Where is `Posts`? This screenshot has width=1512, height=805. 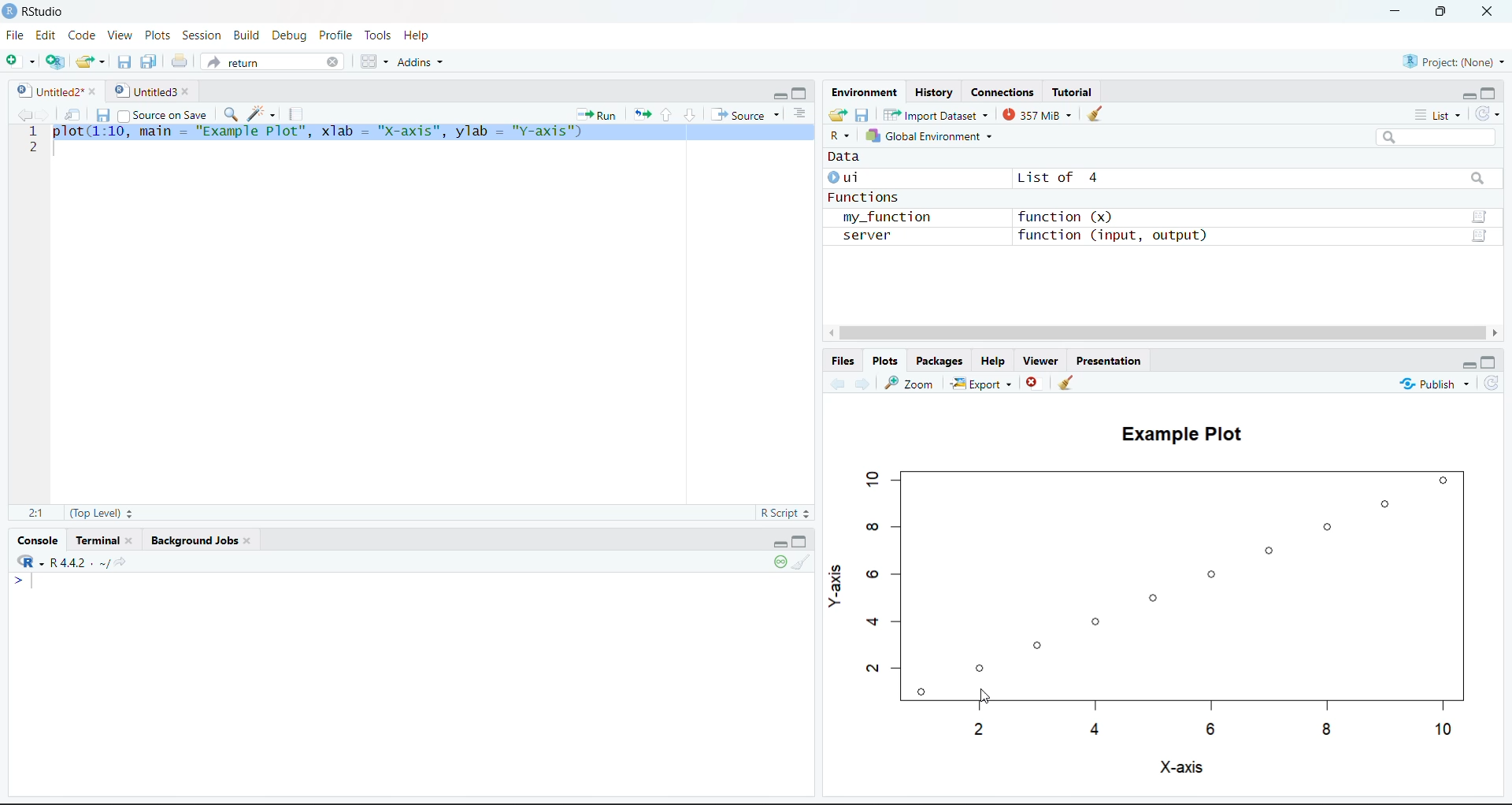 Posts is located at coordinates (159, 35).